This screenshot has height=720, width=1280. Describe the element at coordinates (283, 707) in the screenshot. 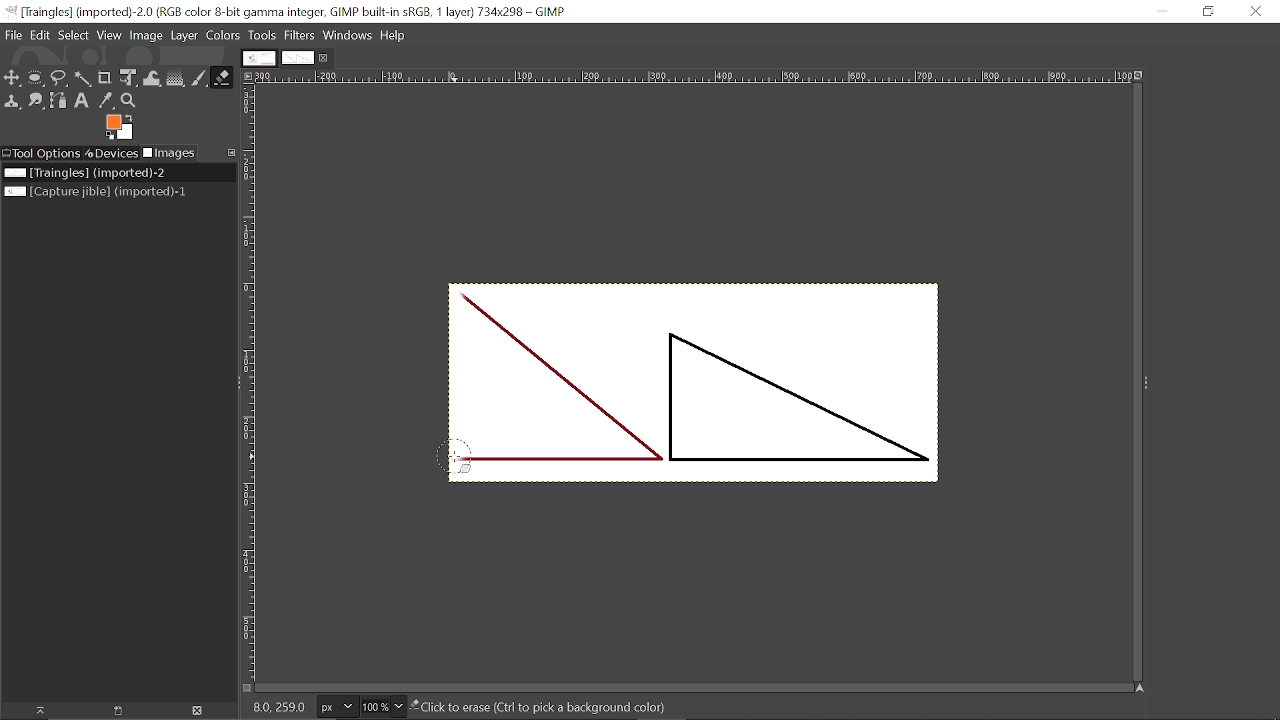

I see `6.0 6.0` at that location.